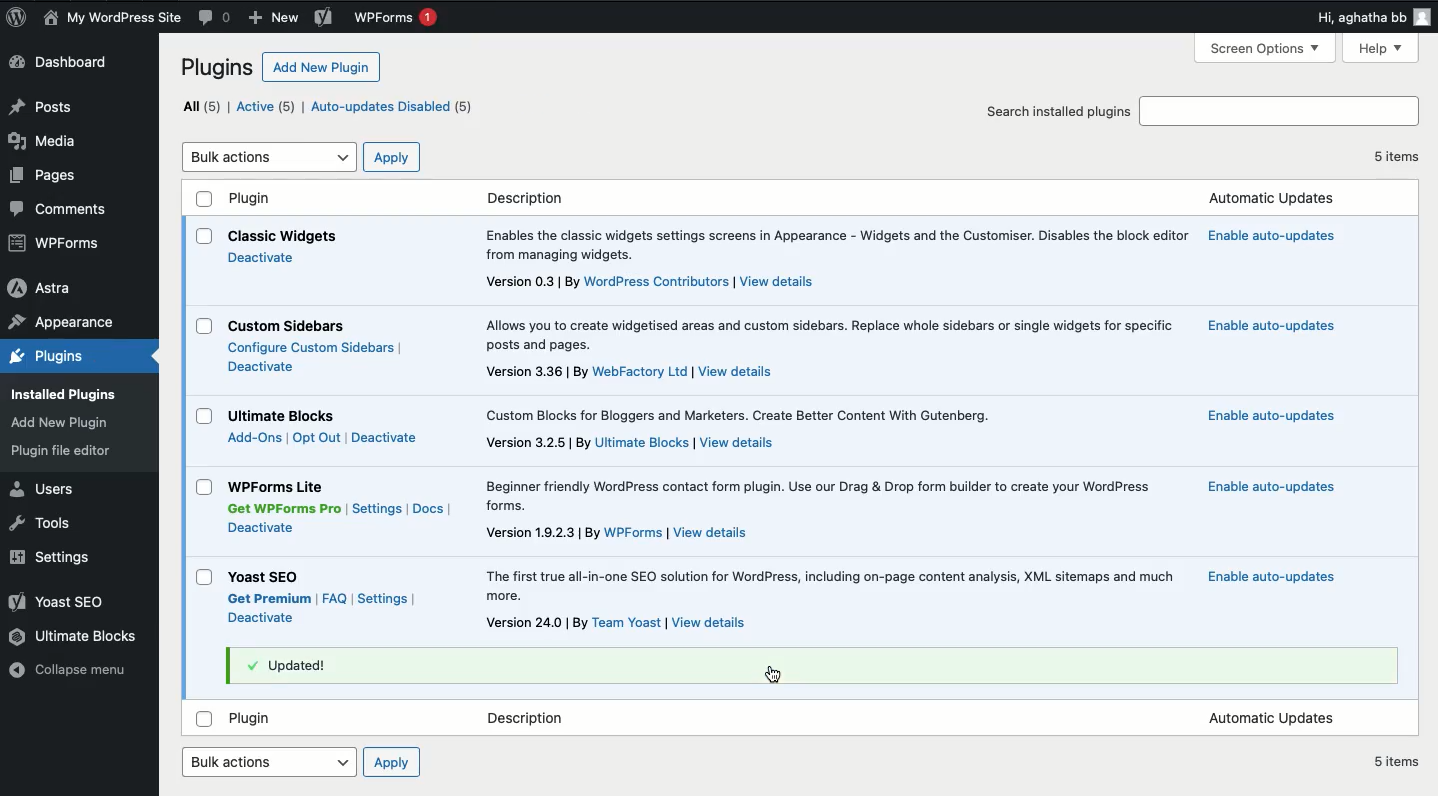 This screenshot has height=796, width=1438. What do you see at coordinates (66, 602) in the screenshot?
I see `Yoast` at bounding box center [66, 602].